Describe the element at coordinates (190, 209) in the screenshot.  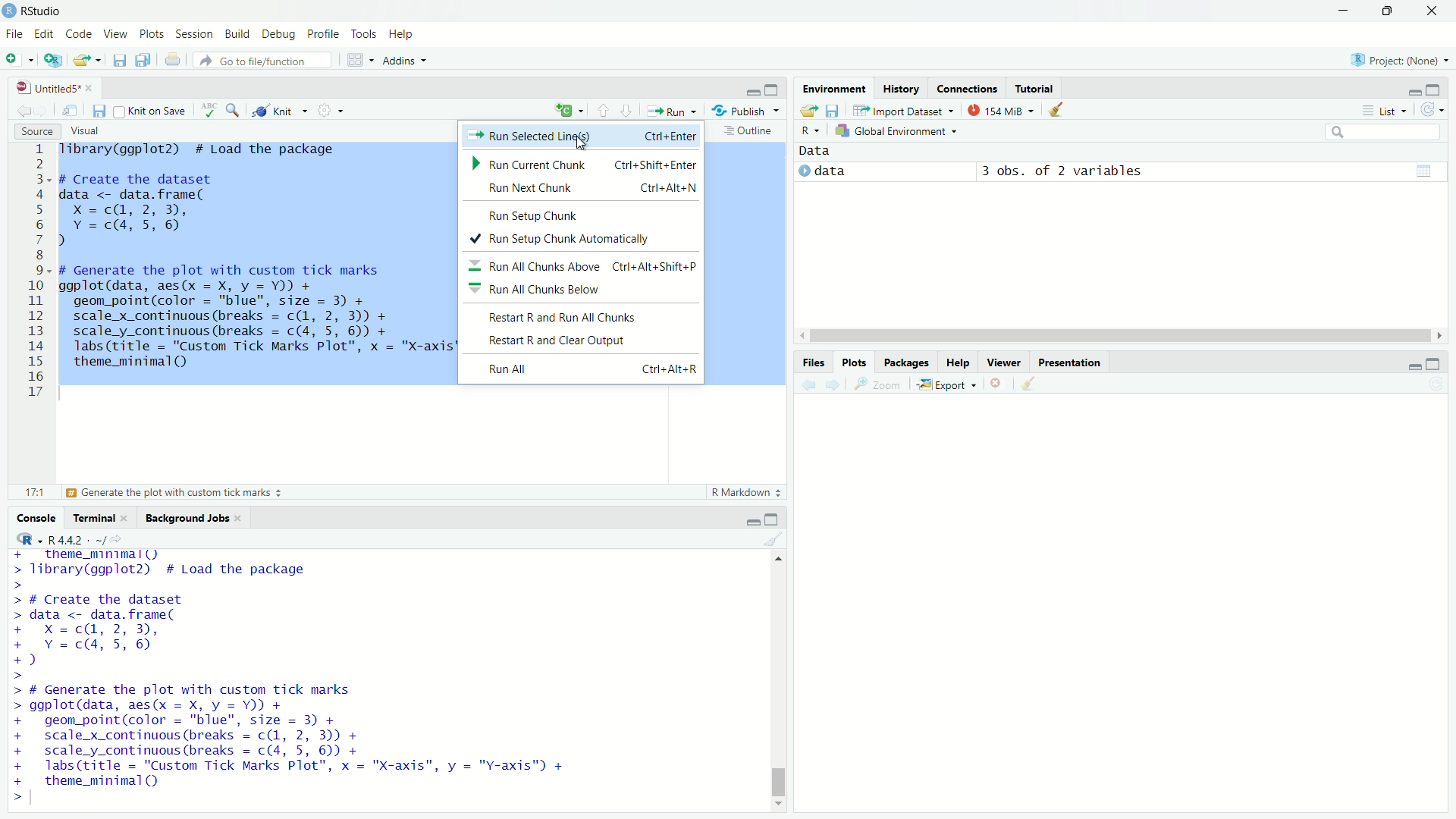
I see `code to create the dataset` at that location.